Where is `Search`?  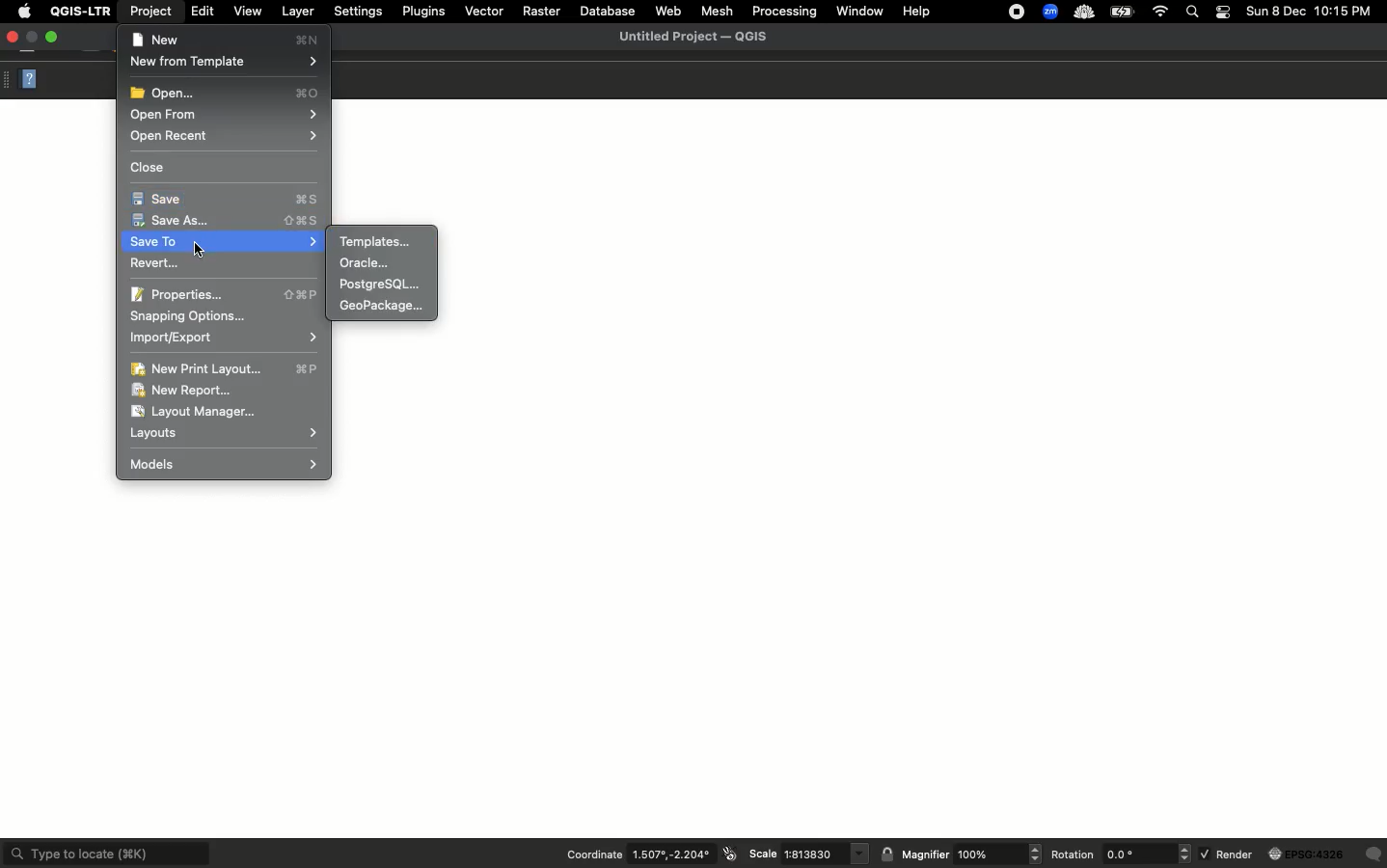
Search is located at coordinates (1194, 13).